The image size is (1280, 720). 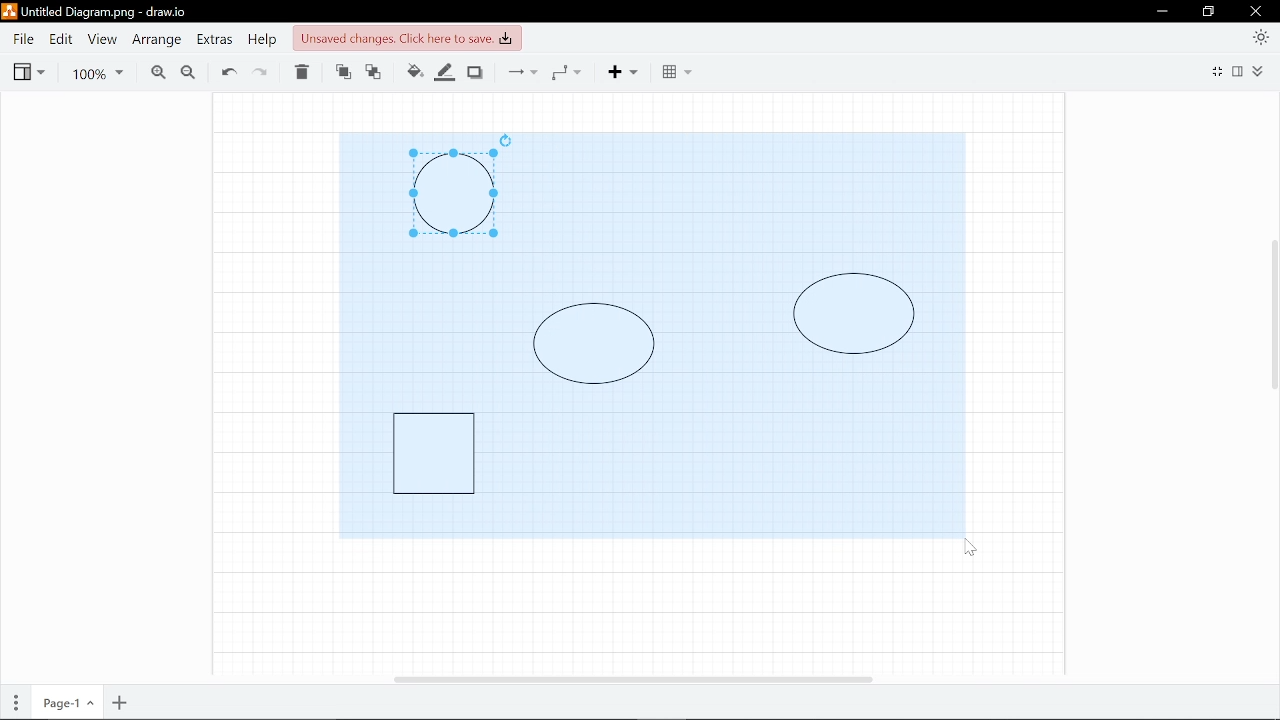 What do you see at coordinates (630, 71) in the screenshot?
I see `Add` at bounding box center [630, 71].